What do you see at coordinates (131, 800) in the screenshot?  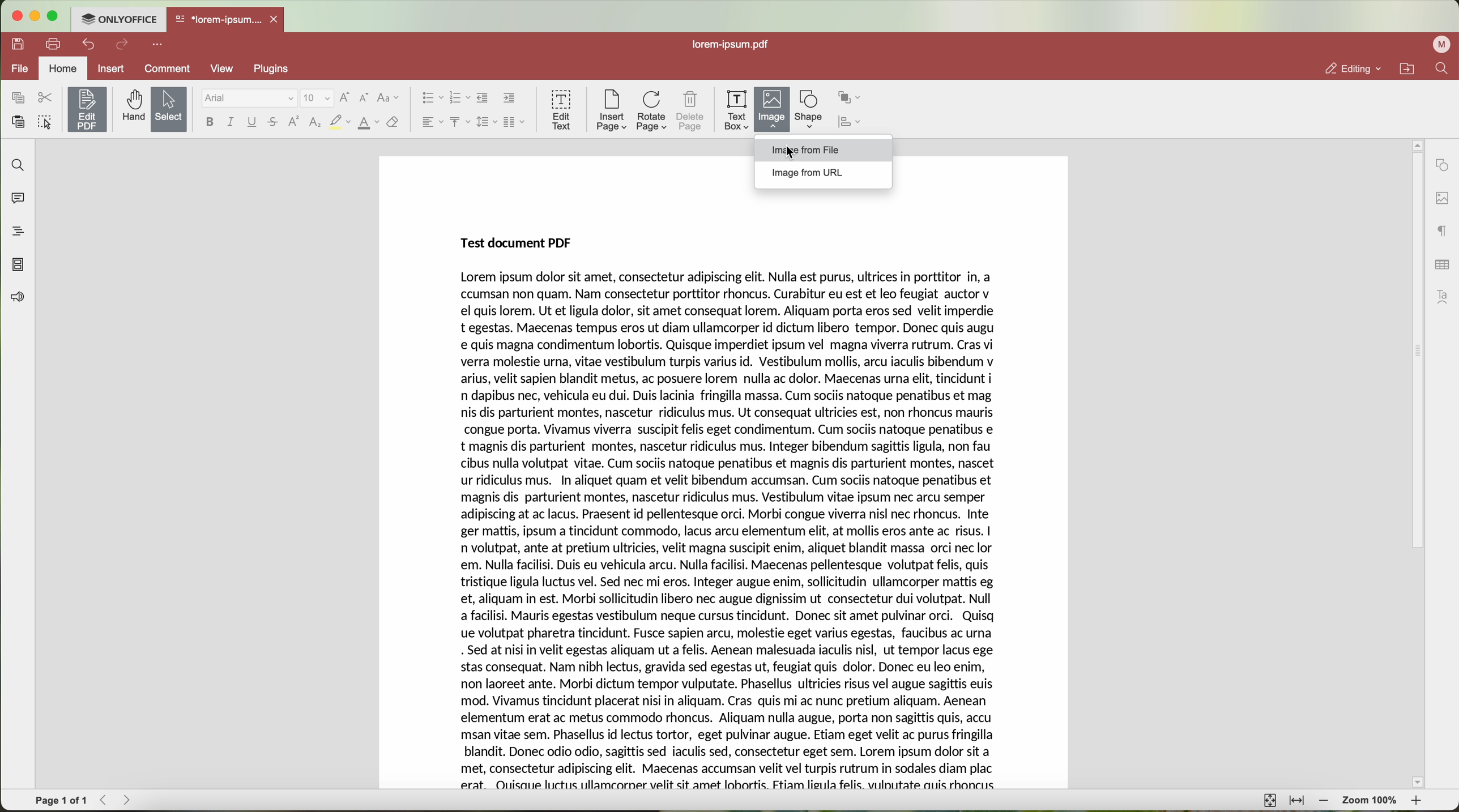 I see `Forward` at bounding box center [131, 800].